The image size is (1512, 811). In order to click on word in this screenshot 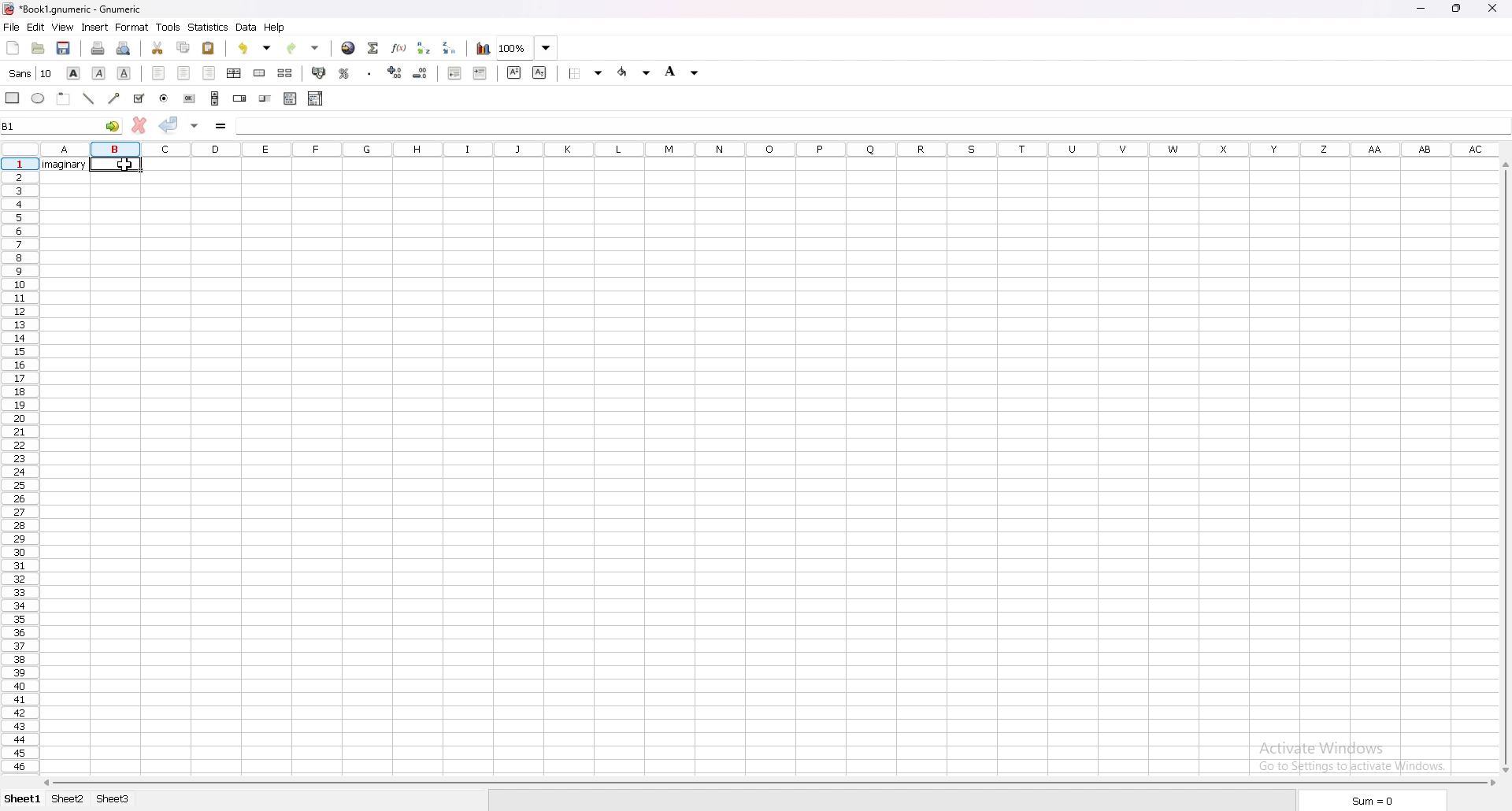, I will do `click(66, 165)`.